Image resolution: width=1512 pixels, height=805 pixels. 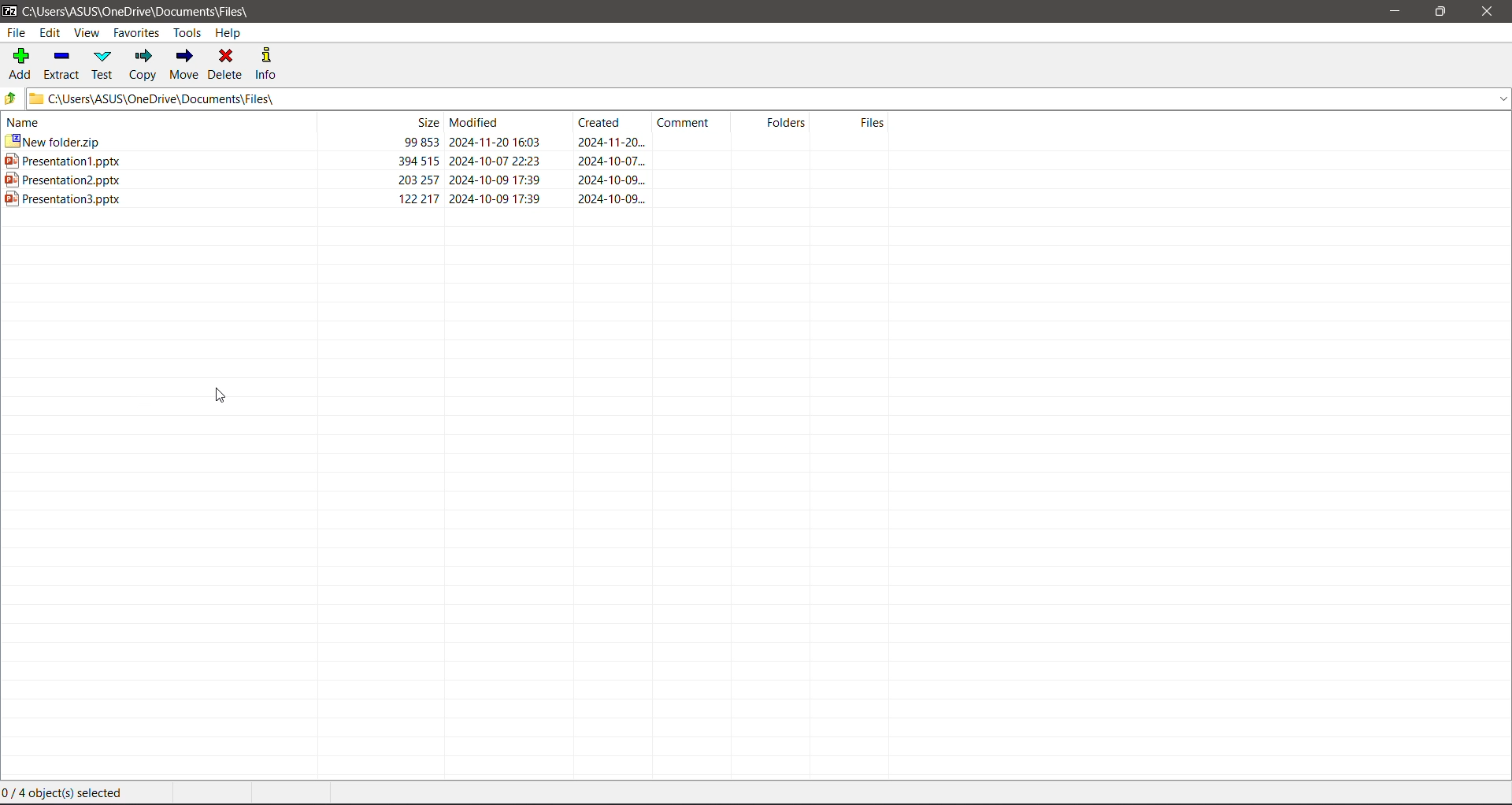 What do you see at coordinates (854, 121) in the screenshot?
I see `files` at bounding box center [854, 121].